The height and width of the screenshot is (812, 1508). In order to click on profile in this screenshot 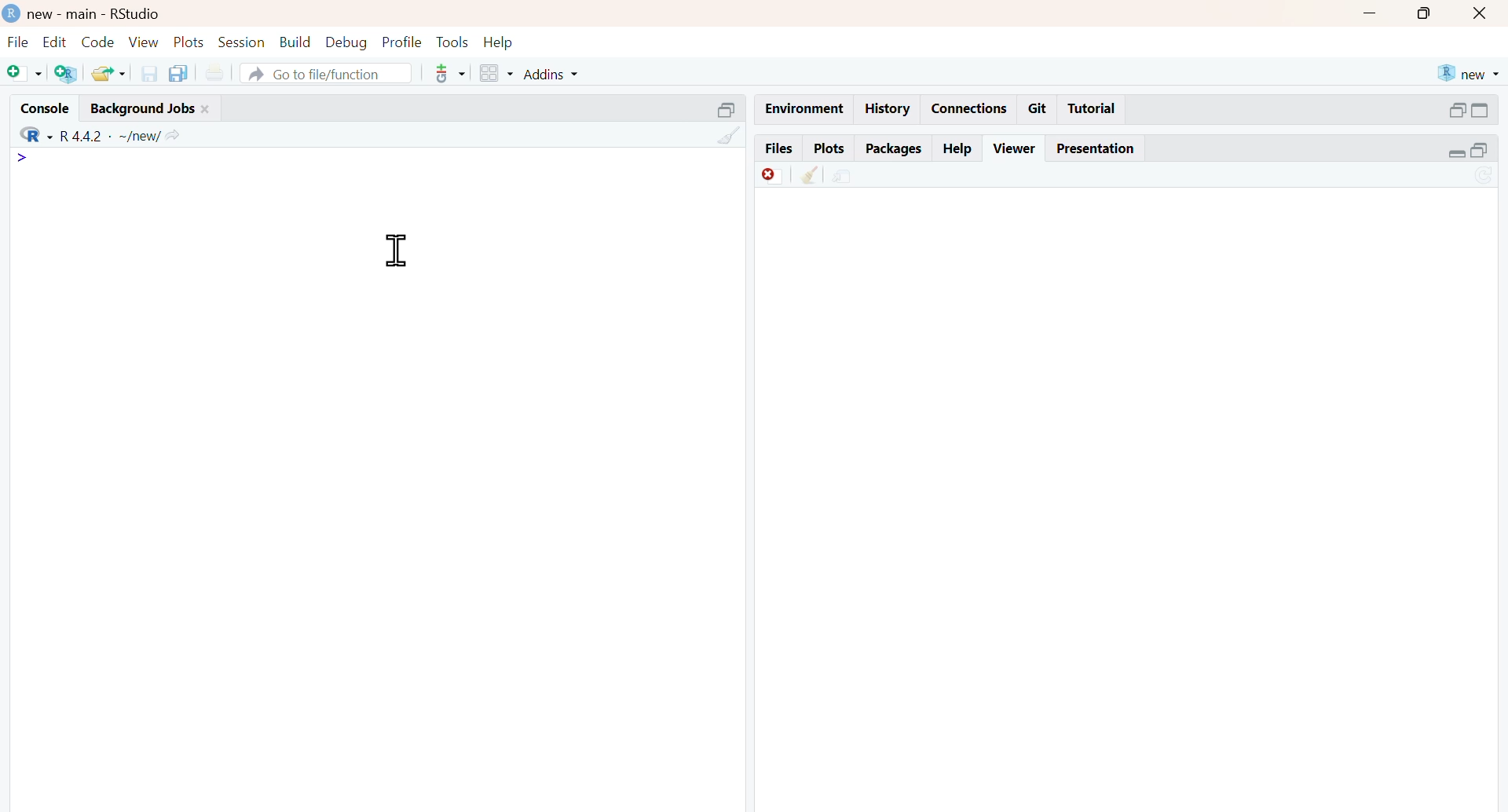, I will do `click(403, 43)`.